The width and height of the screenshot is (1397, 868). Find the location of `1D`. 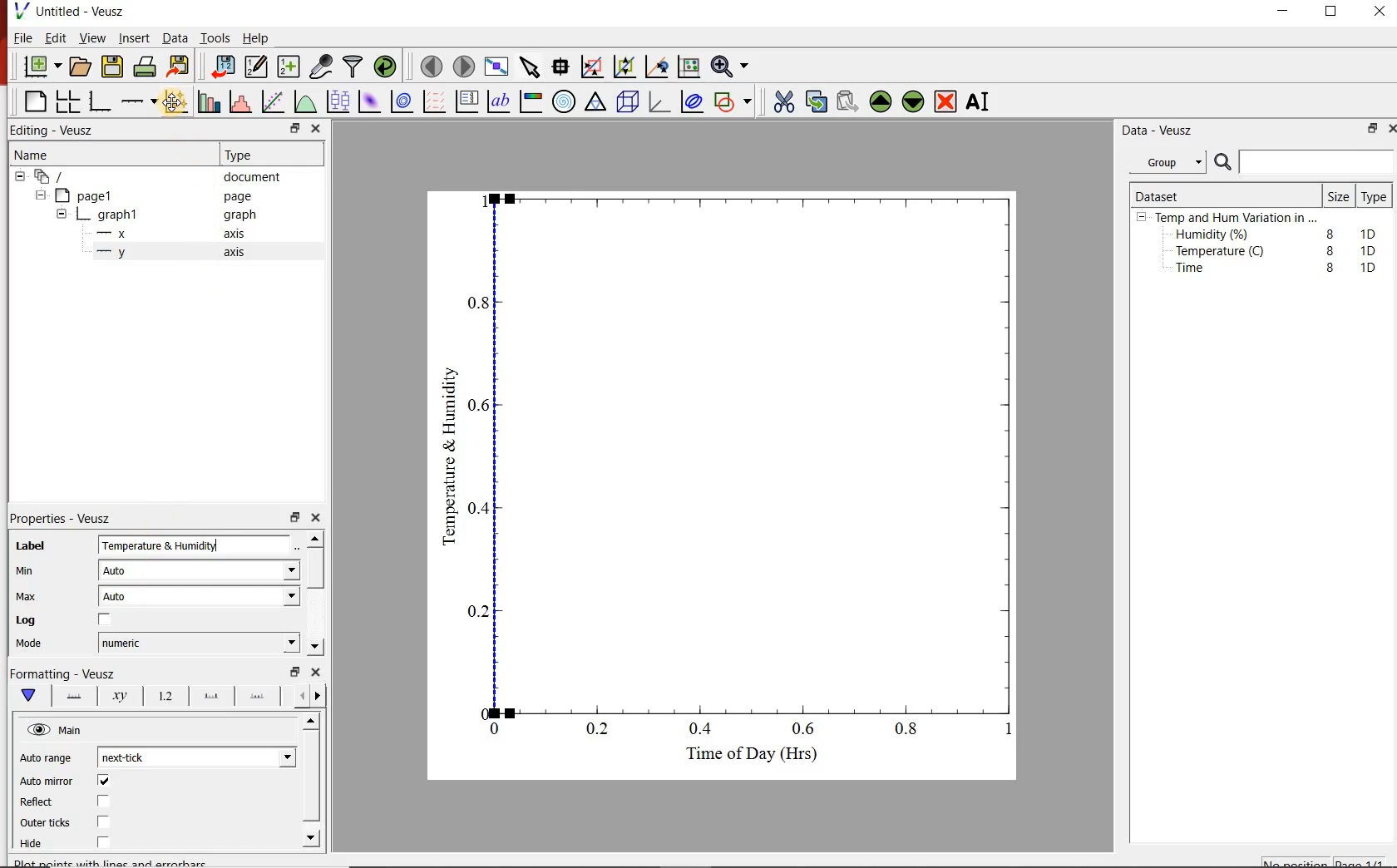

1D is located at coordinates (1373, 250).